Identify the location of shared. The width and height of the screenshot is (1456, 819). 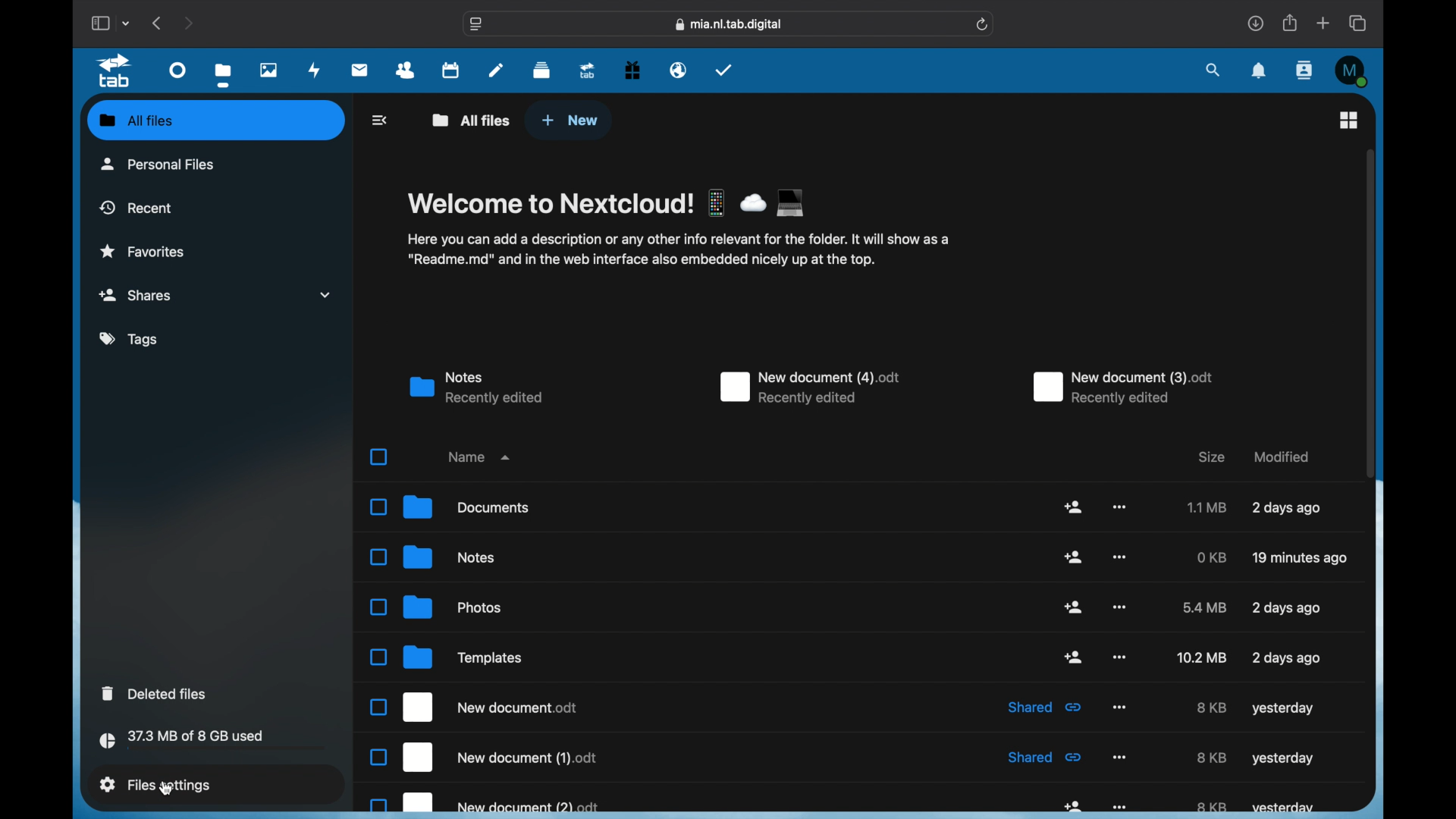
(1043, 707).